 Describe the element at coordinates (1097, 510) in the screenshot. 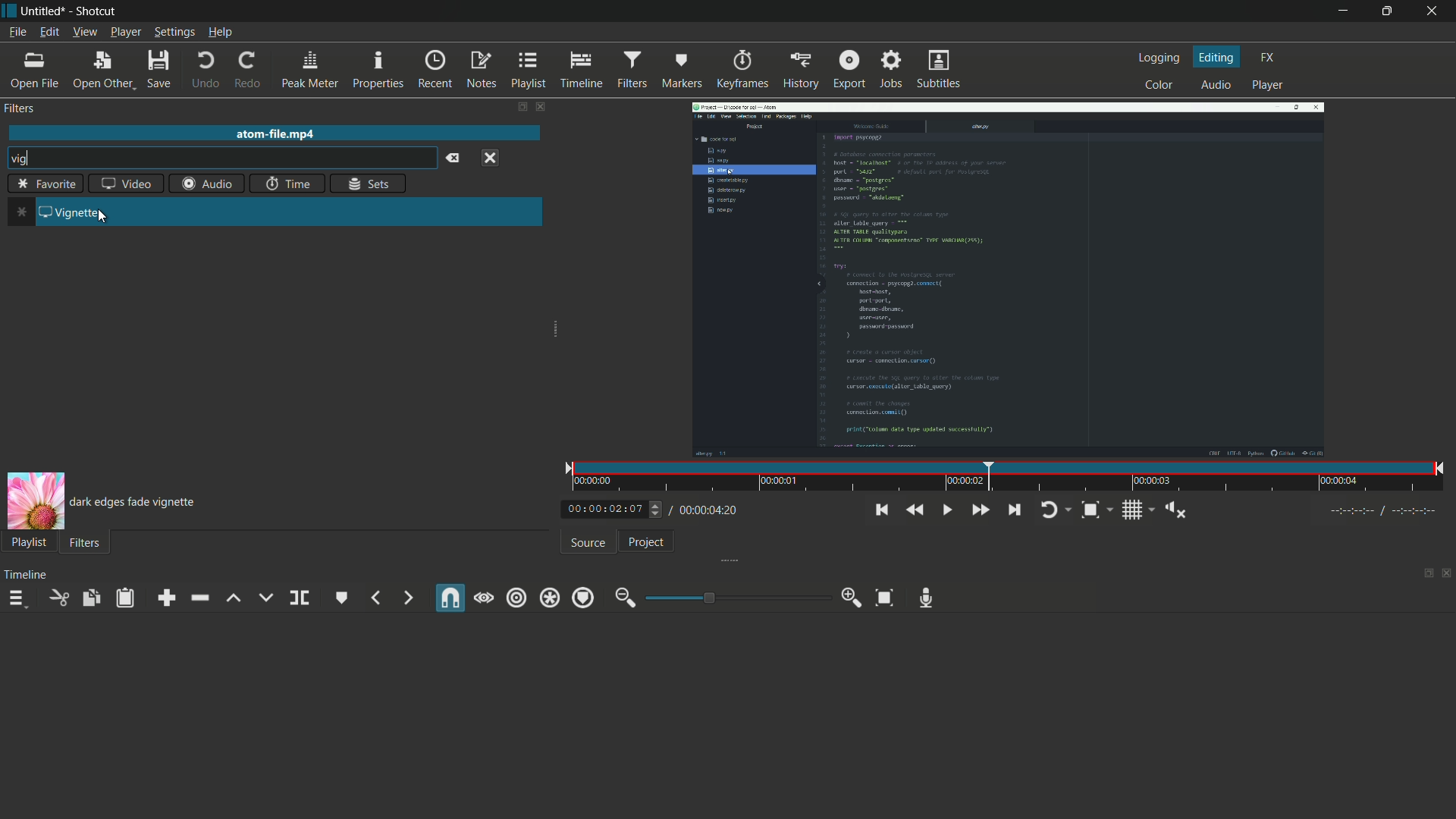

I see `toggle zoom` at that location.